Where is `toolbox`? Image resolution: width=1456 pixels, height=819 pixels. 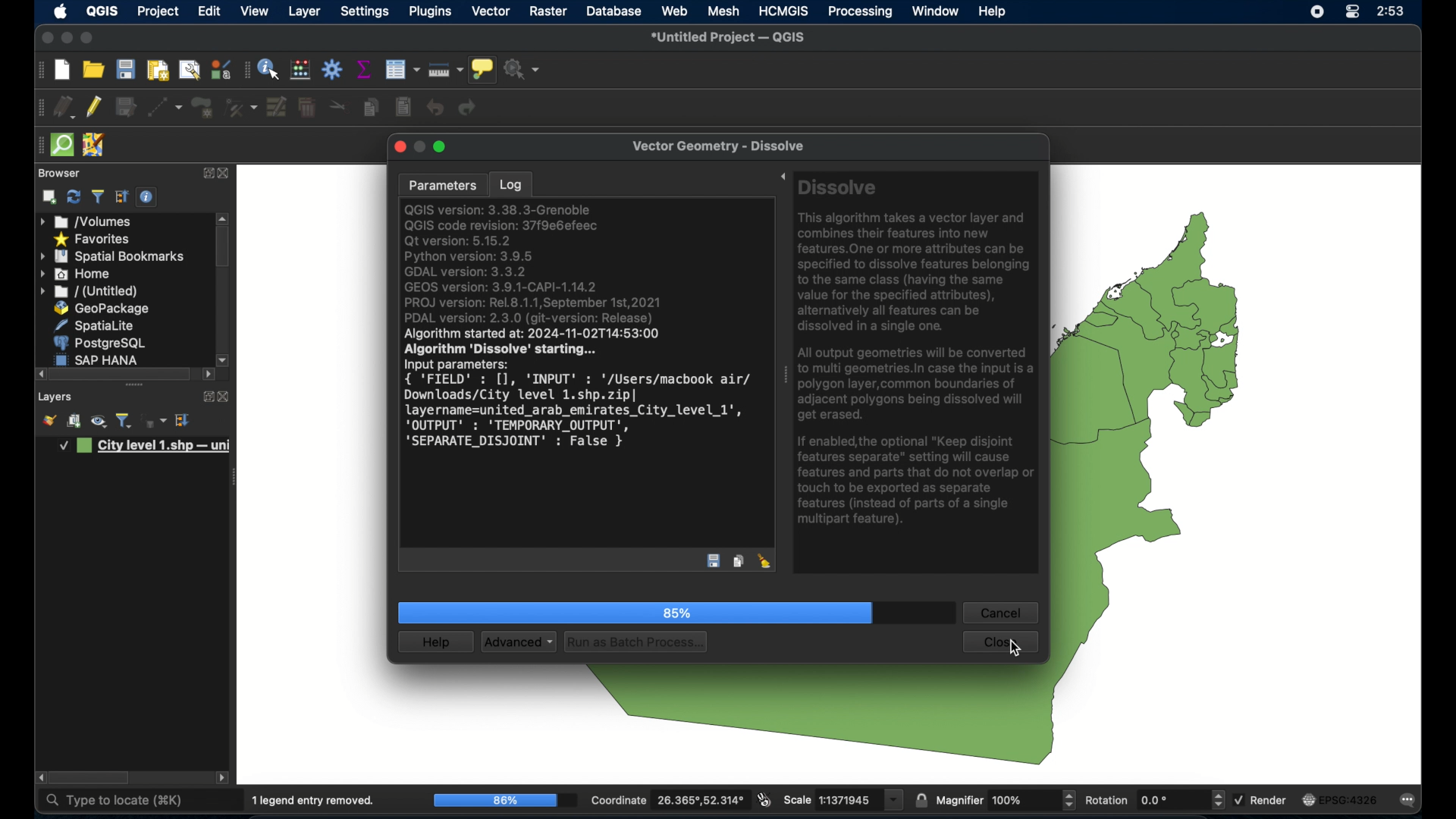 toolbox is located at coordinates (333, 69).